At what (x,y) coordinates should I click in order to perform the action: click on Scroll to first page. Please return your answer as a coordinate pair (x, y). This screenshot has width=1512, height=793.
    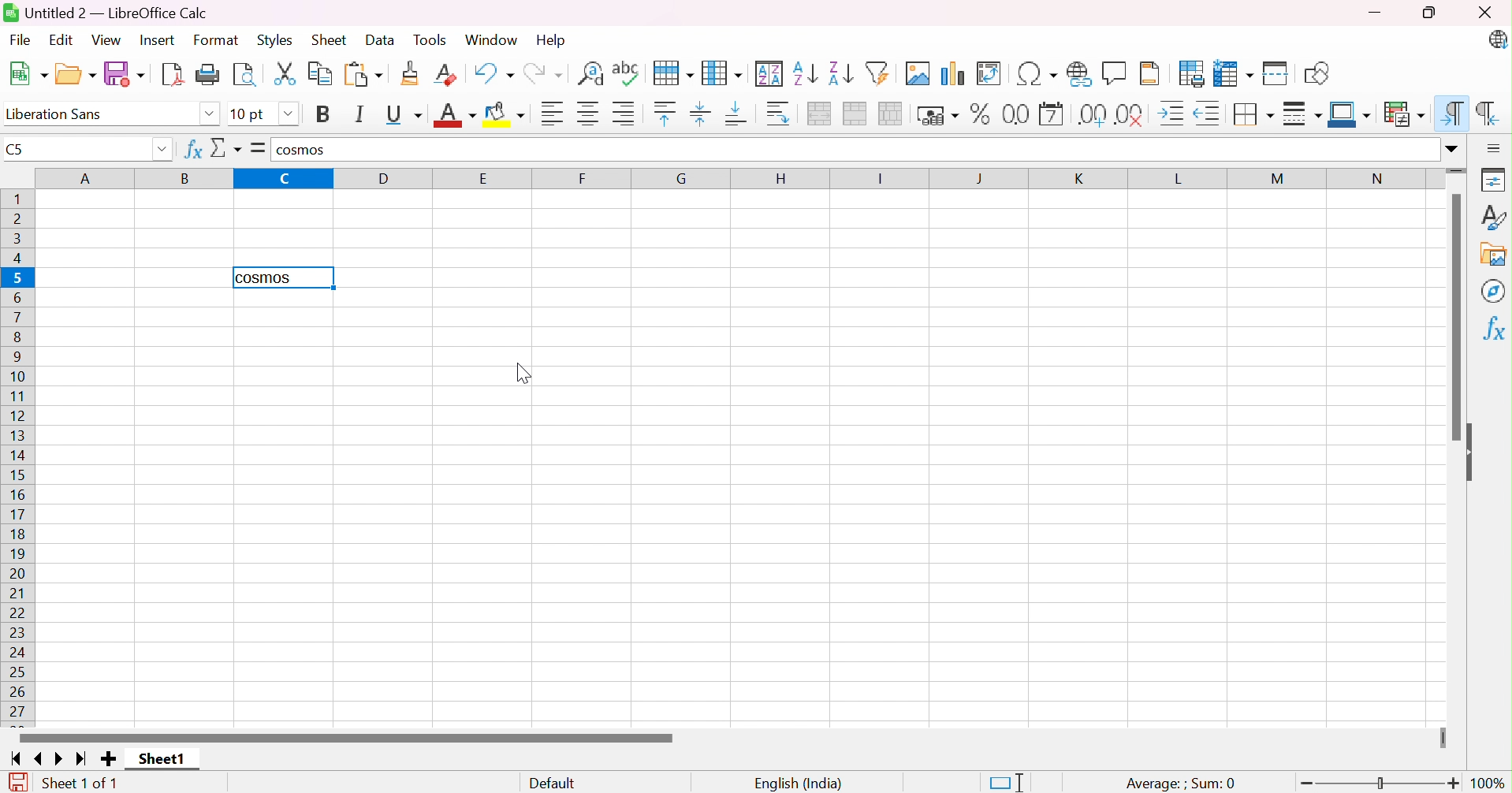
    Looking at the image, I should click on (17, 758).